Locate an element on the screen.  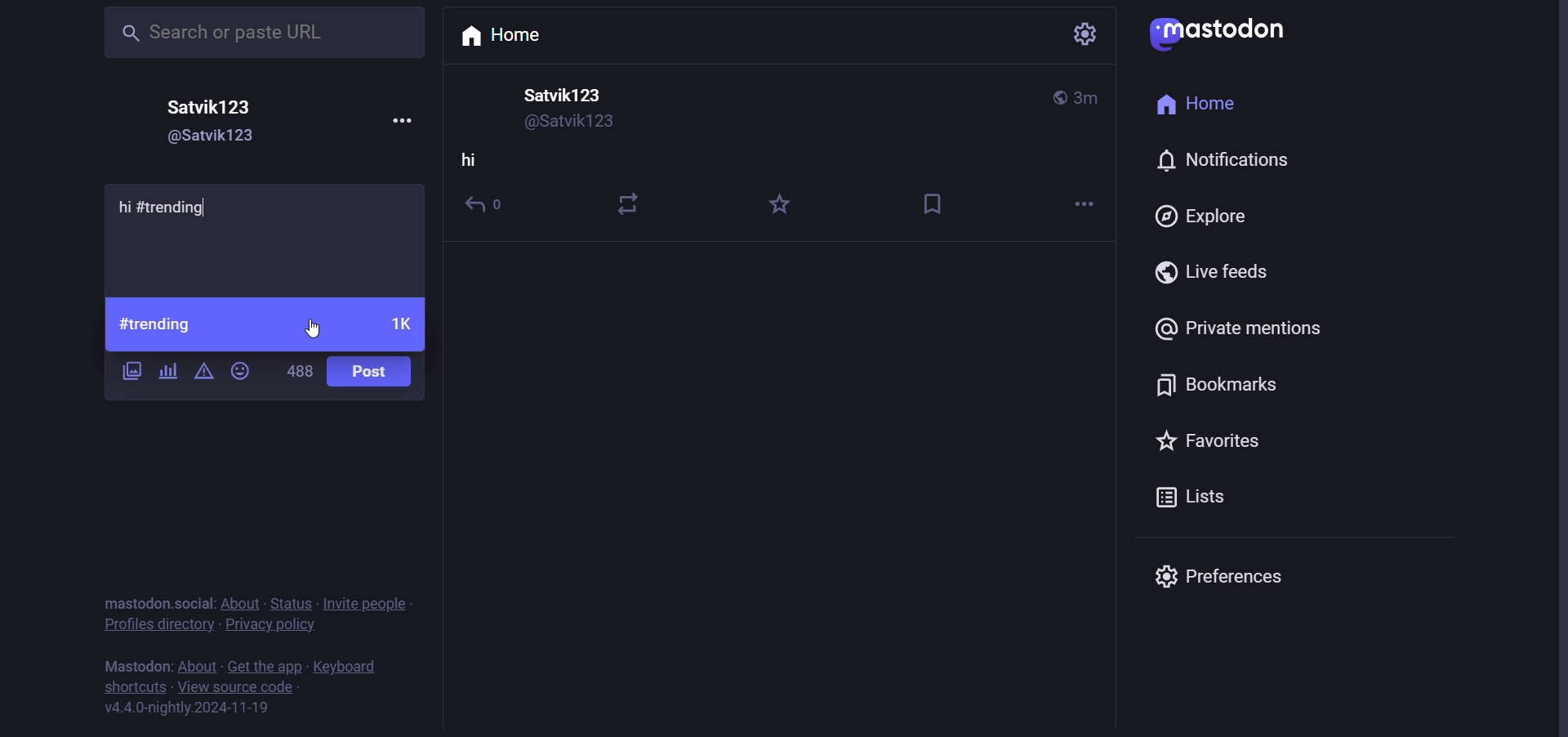
version is located at coordinates (185, 708).